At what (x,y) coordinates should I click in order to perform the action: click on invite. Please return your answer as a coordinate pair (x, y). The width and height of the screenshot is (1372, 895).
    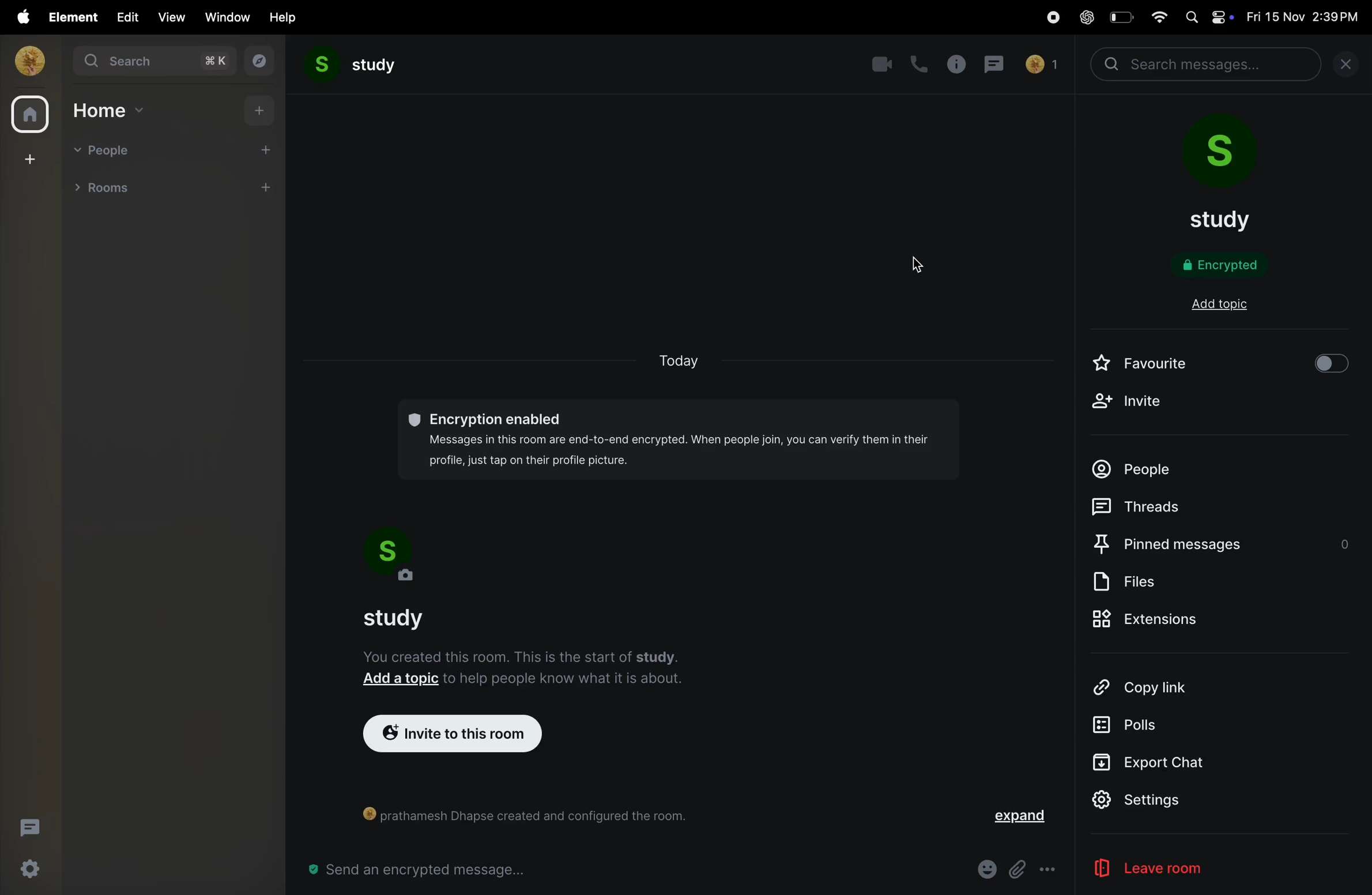
    Looking at the image, I should click on (1127, 404).